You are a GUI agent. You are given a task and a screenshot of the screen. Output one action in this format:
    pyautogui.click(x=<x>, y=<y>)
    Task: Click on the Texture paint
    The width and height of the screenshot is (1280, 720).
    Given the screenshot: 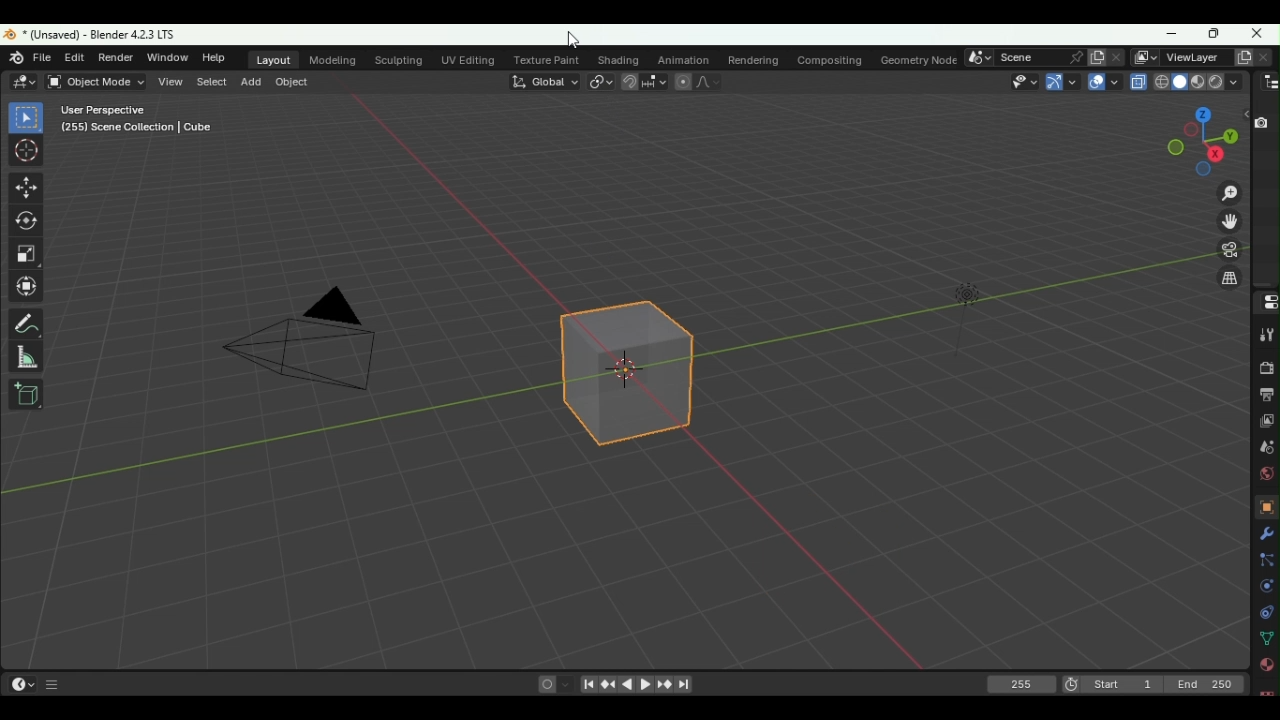 What is the action you would take?
    pyautogui.click(x=551, y=59)
    